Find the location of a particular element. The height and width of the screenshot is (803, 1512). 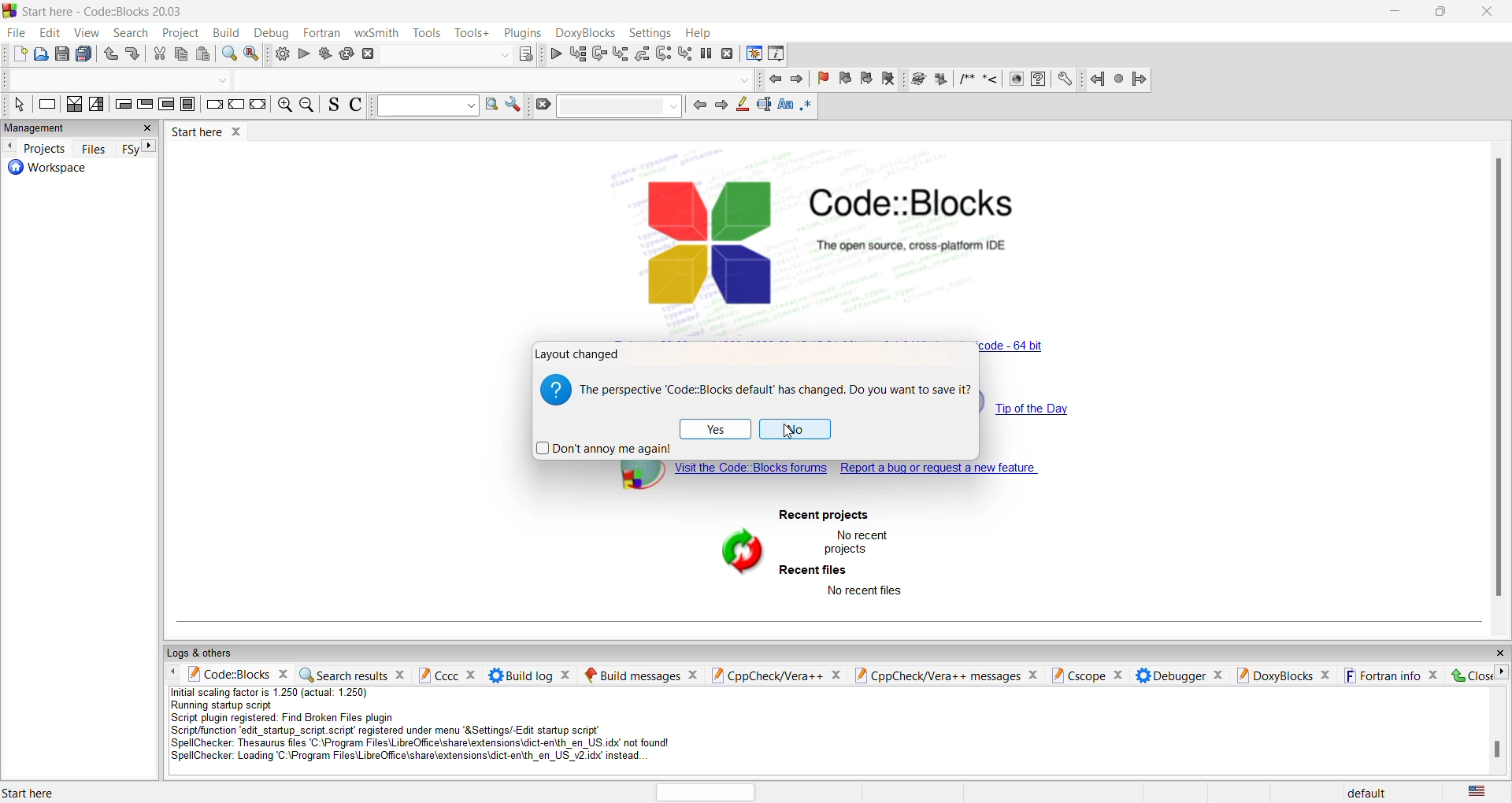

save all is located at coordinates (86, 54).